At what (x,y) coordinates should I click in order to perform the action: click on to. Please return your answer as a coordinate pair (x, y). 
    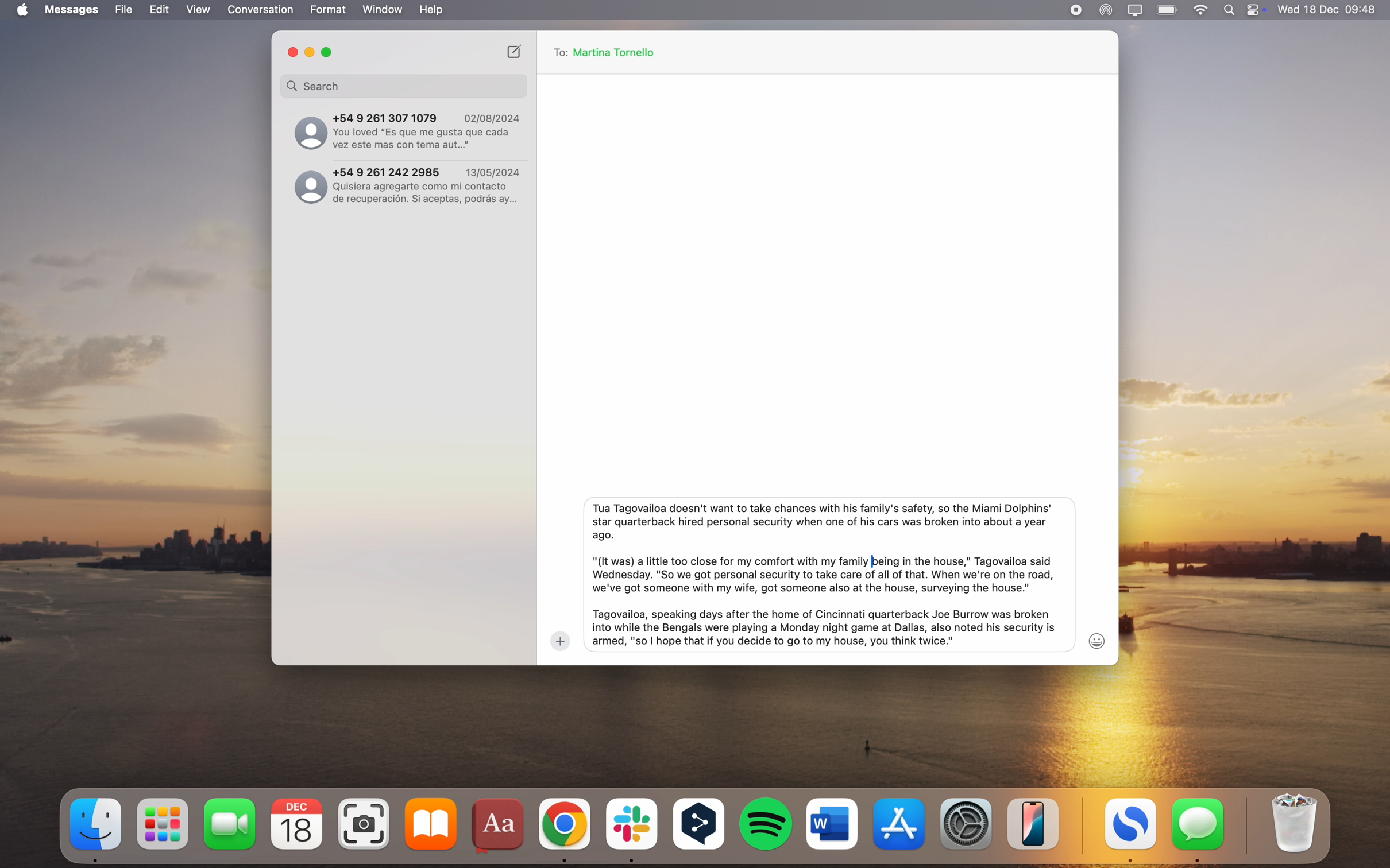
    Looking at the image, I should click on (558, 52).